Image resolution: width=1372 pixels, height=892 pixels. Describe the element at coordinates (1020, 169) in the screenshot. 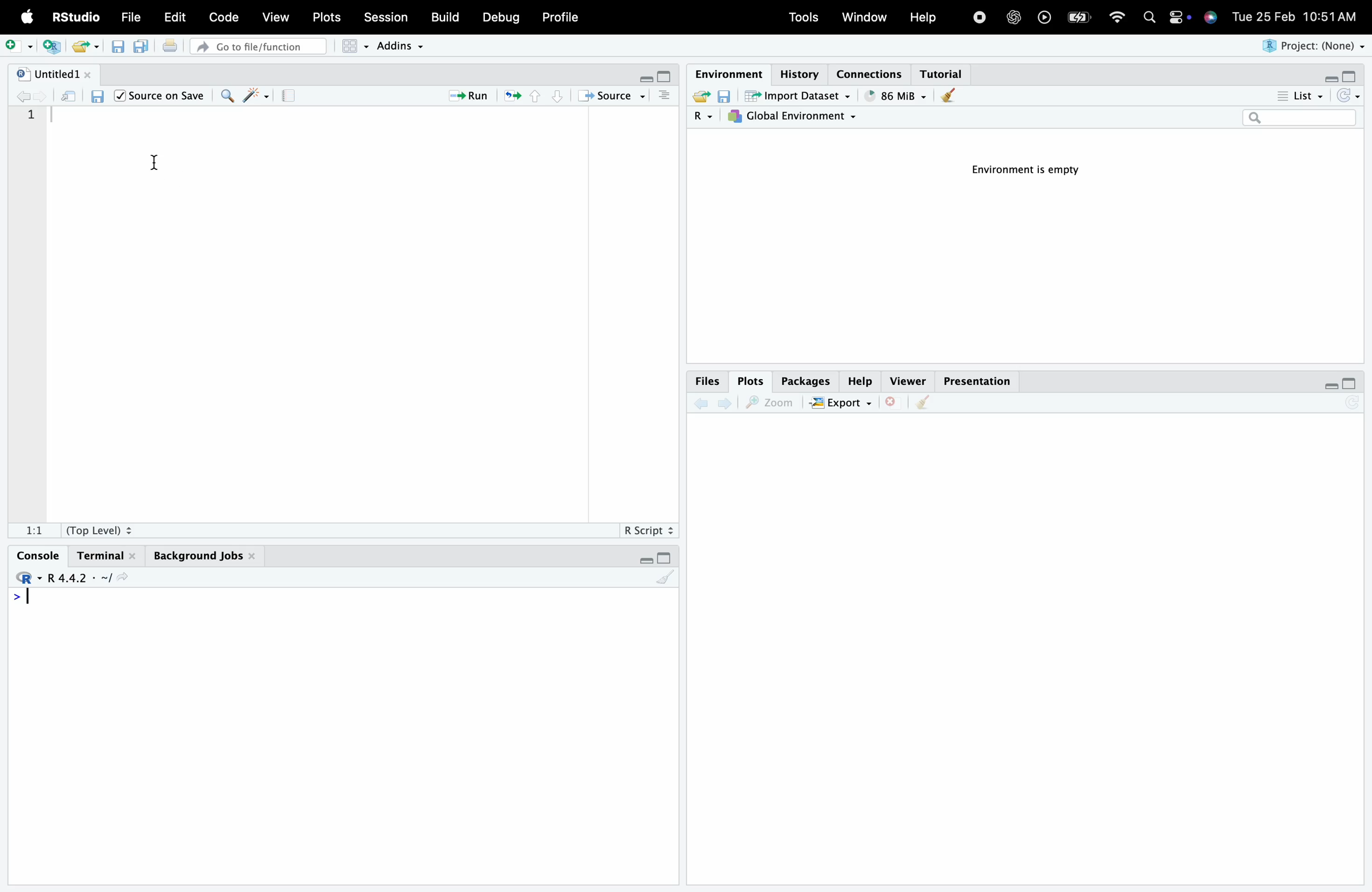

I see `Environment is empty` at that location.